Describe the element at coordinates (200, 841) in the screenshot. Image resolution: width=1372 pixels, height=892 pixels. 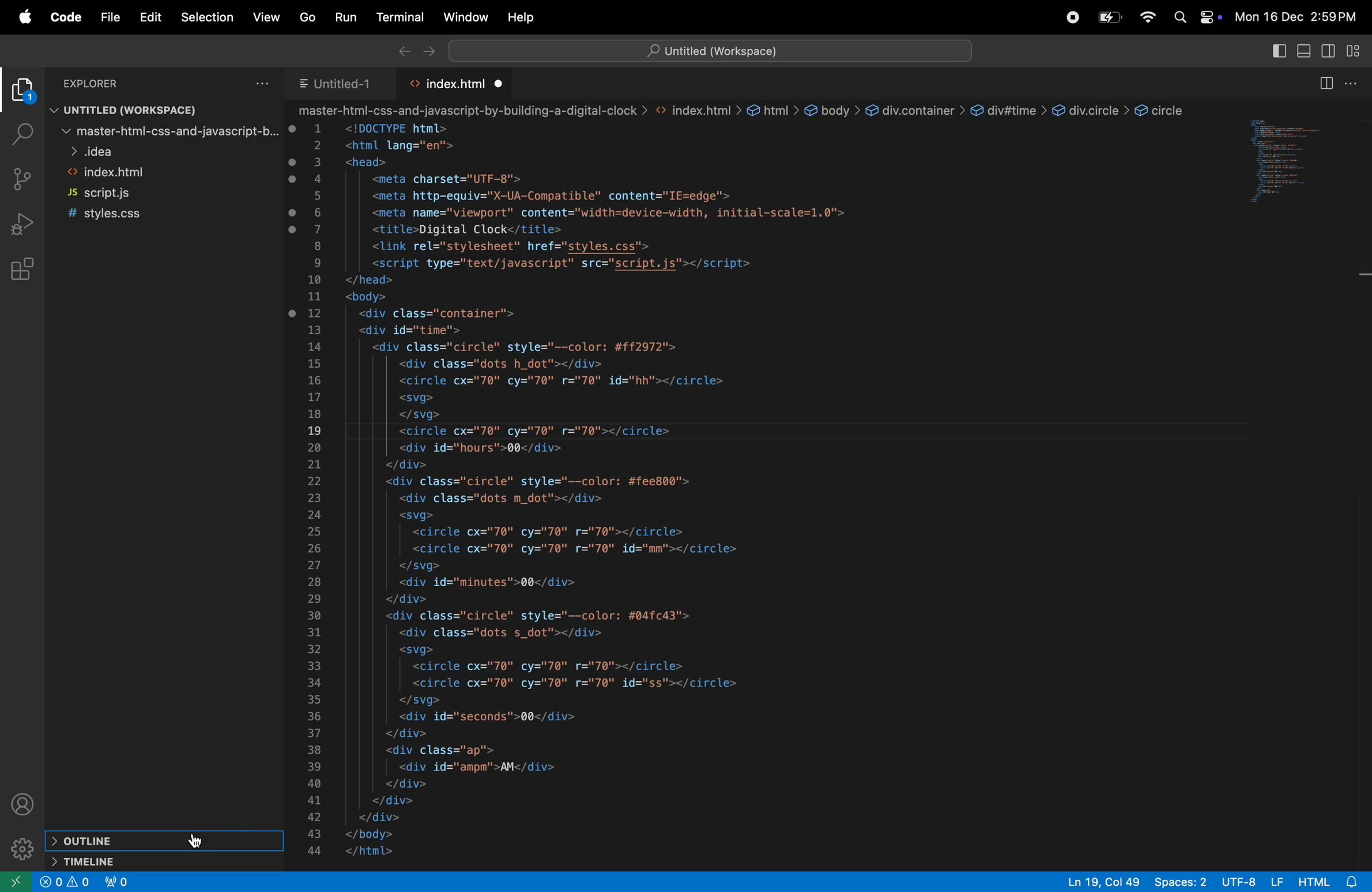
I see `cursor` at that location.